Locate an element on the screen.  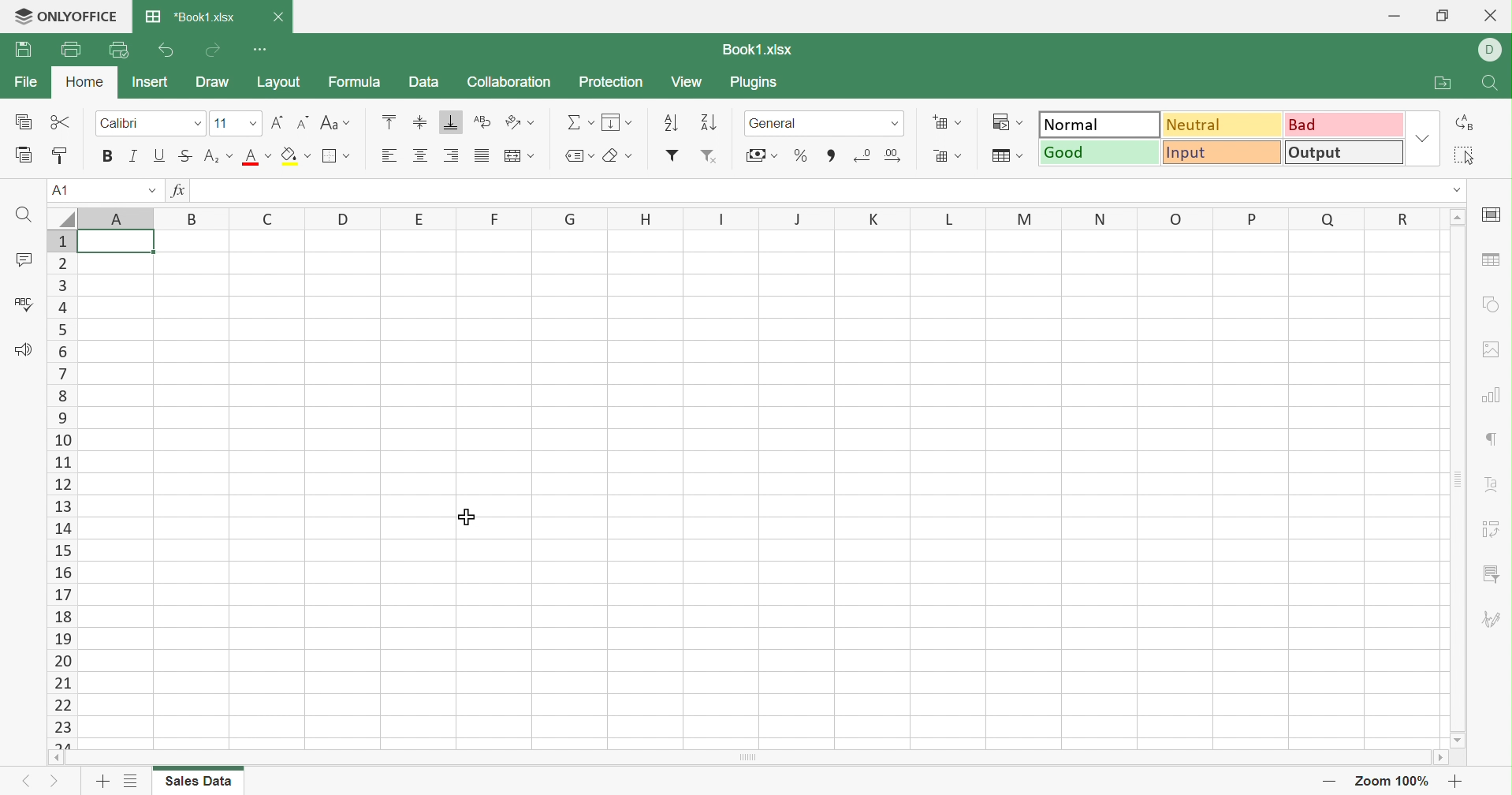
Table settings is located at coordinates (1491, 256).